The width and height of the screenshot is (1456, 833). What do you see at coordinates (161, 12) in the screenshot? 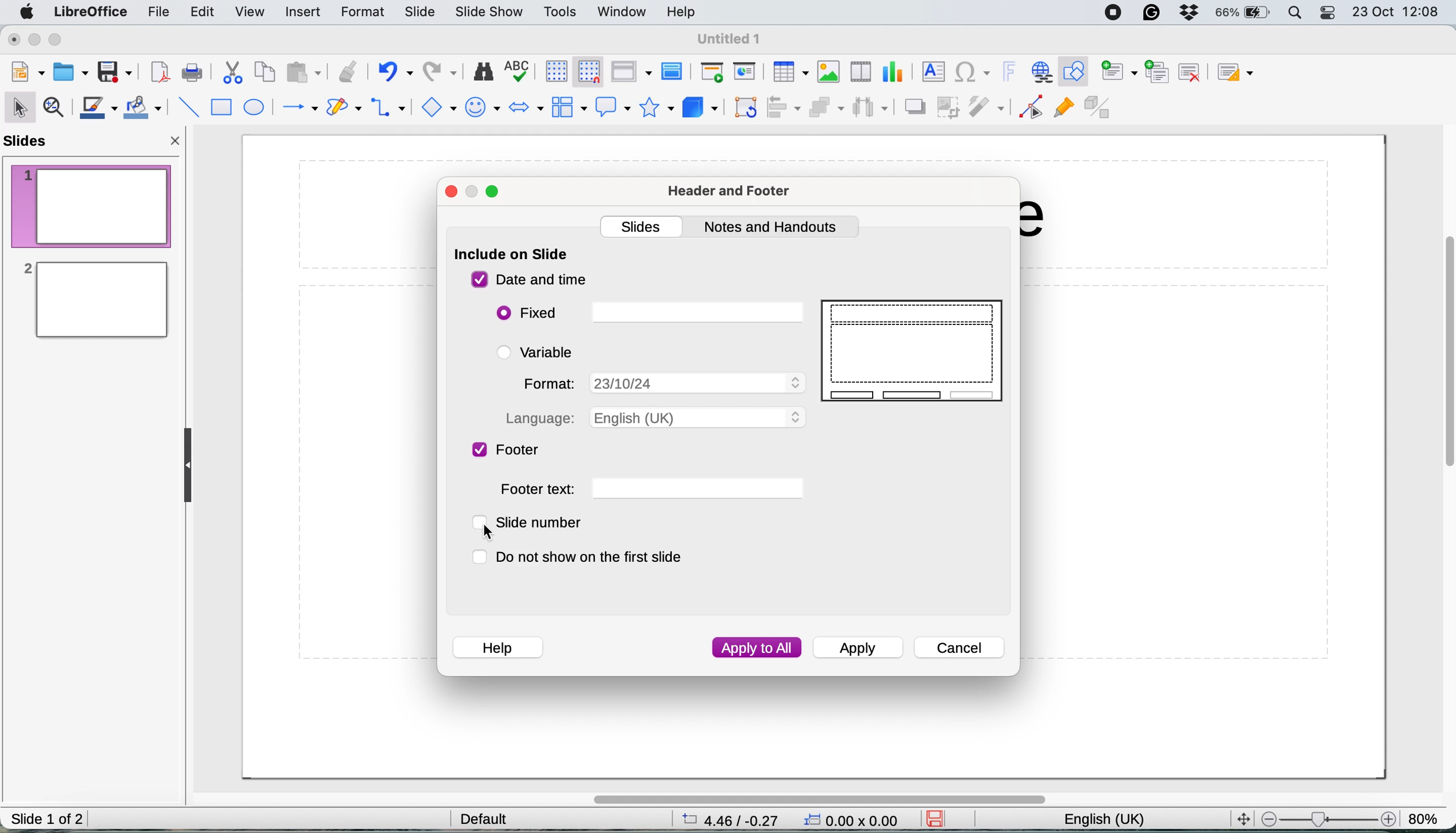
I see `file` at bounding box center [161, 12].